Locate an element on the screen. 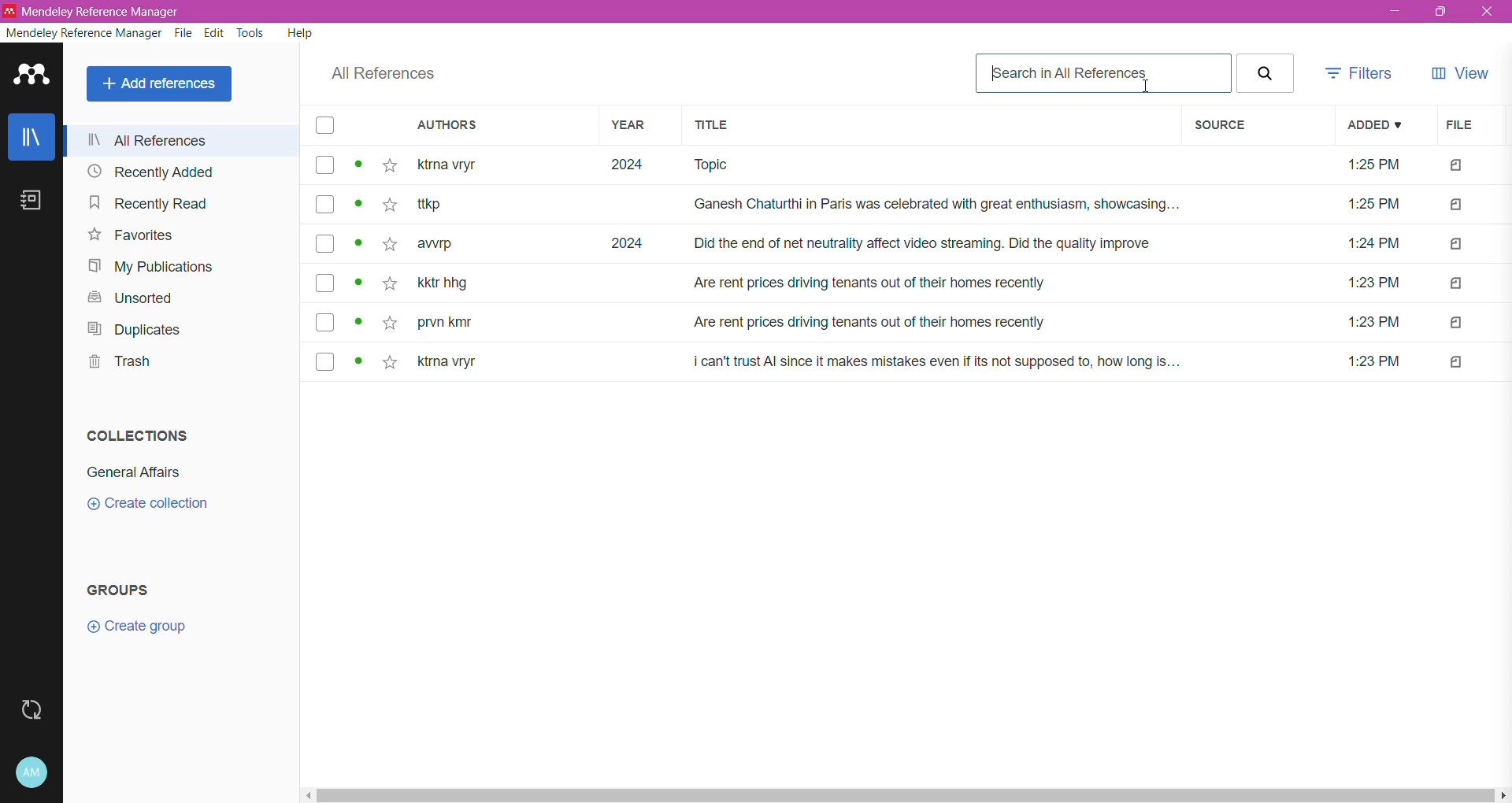 The height and width of the screenshot is (803, 1512). Add References is located at coordinates (159, 84).